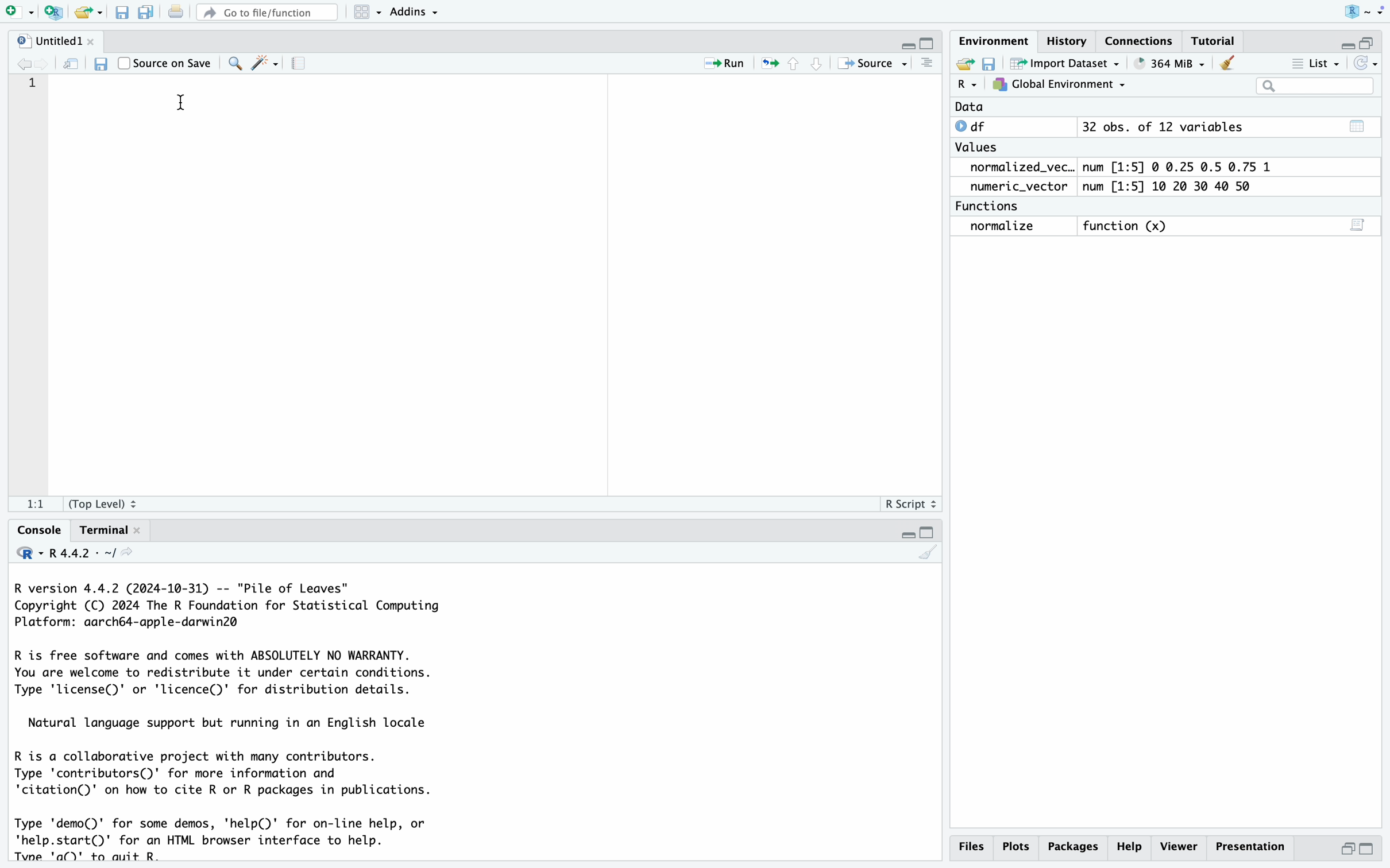 The height and width of the screenshot is (868, 1390). Describe the element at coordinates (299, 64) in the screenshot. I see `Page` at that location.